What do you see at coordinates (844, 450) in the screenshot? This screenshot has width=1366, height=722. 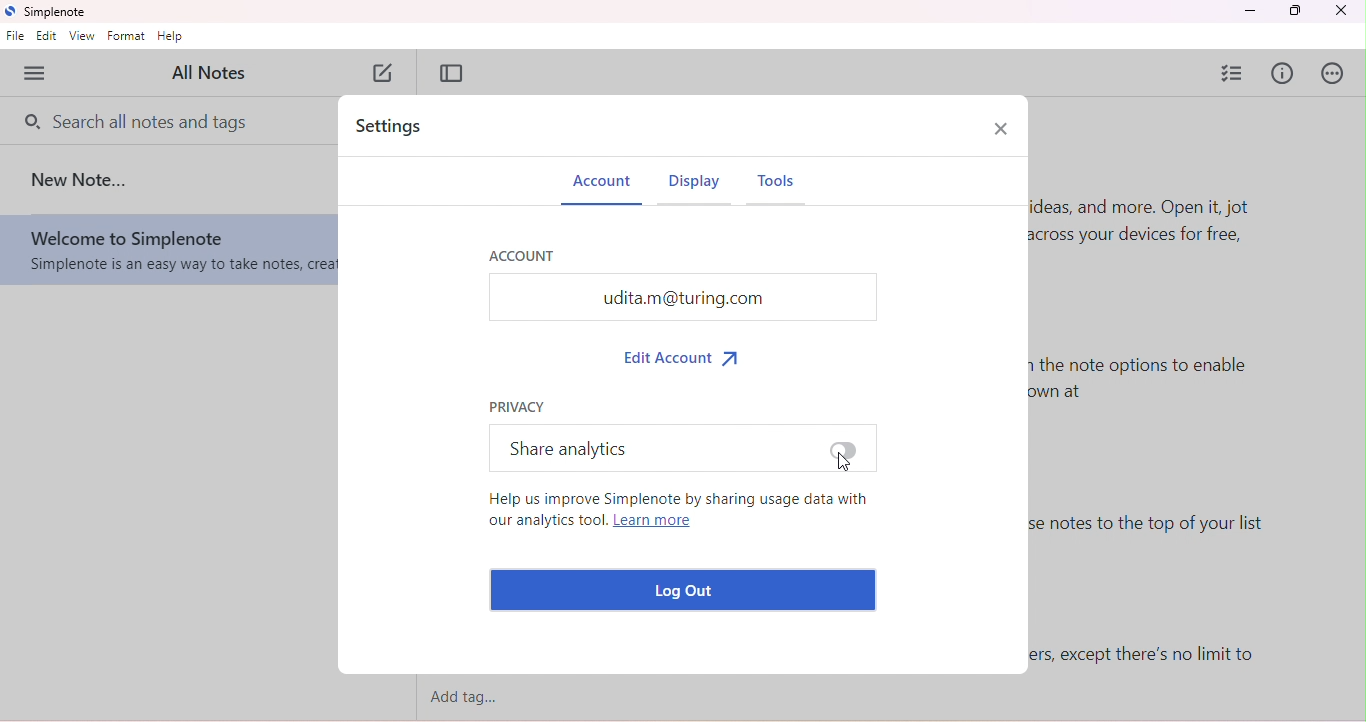 I see `on/off` at bounding box center [844, 450].